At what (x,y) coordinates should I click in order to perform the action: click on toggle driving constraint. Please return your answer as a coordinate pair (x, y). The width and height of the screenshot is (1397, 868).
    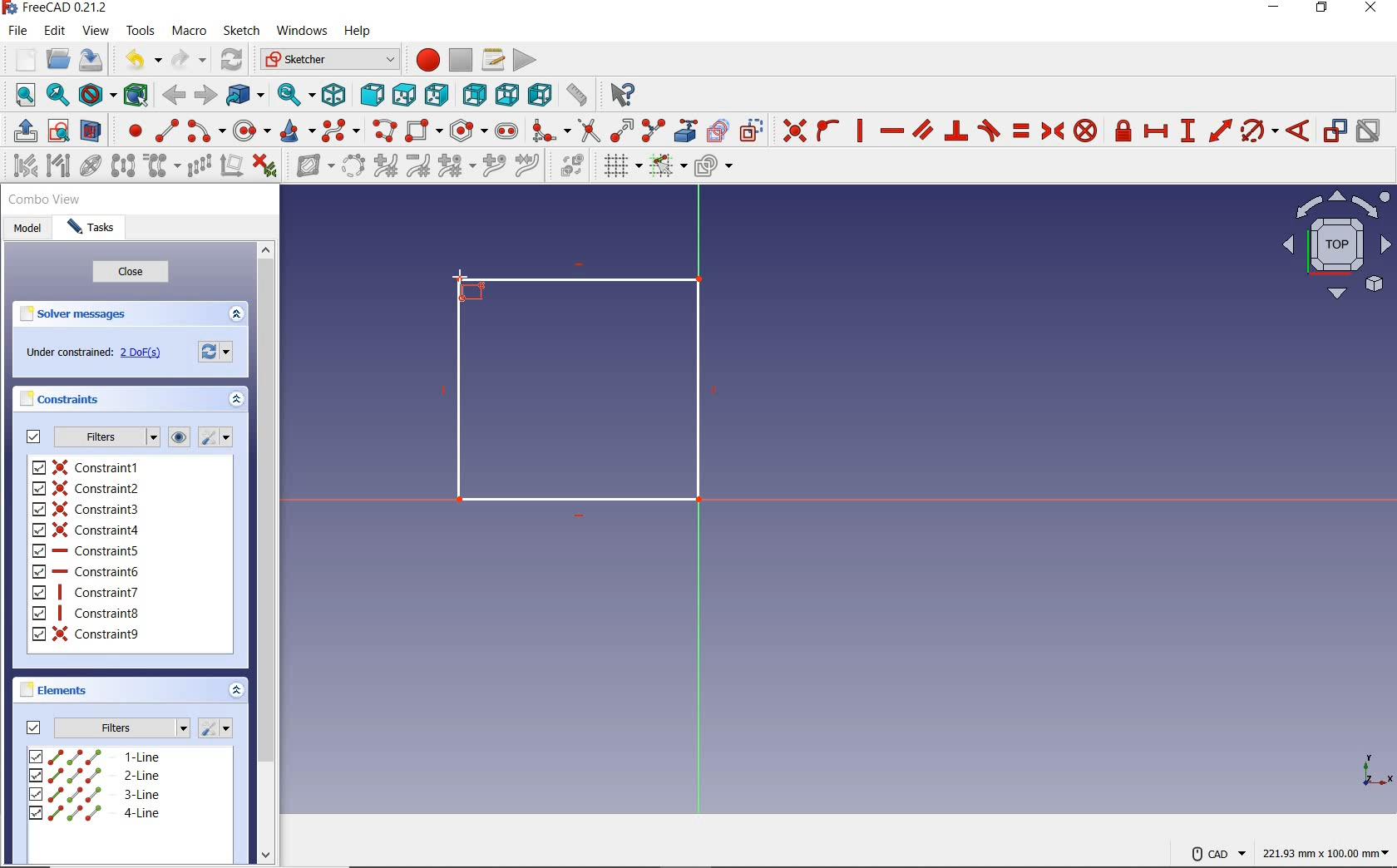
    Looking at the image, I should click on (1335, 131).